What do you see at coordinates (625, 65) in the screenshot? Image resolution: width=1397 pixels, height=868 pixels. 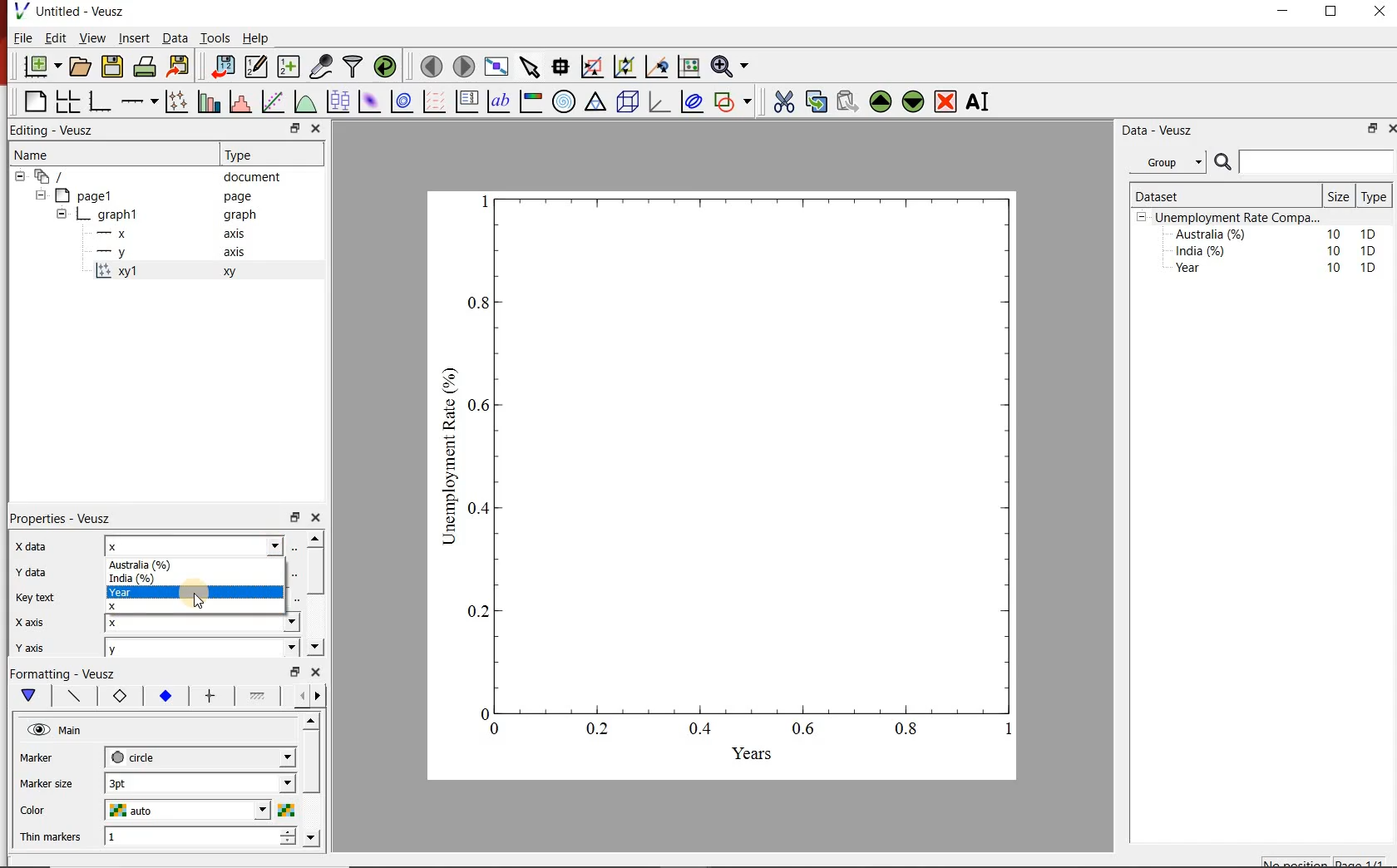 I see `click to zoom out graph axes` at bounding box center [625, 65].